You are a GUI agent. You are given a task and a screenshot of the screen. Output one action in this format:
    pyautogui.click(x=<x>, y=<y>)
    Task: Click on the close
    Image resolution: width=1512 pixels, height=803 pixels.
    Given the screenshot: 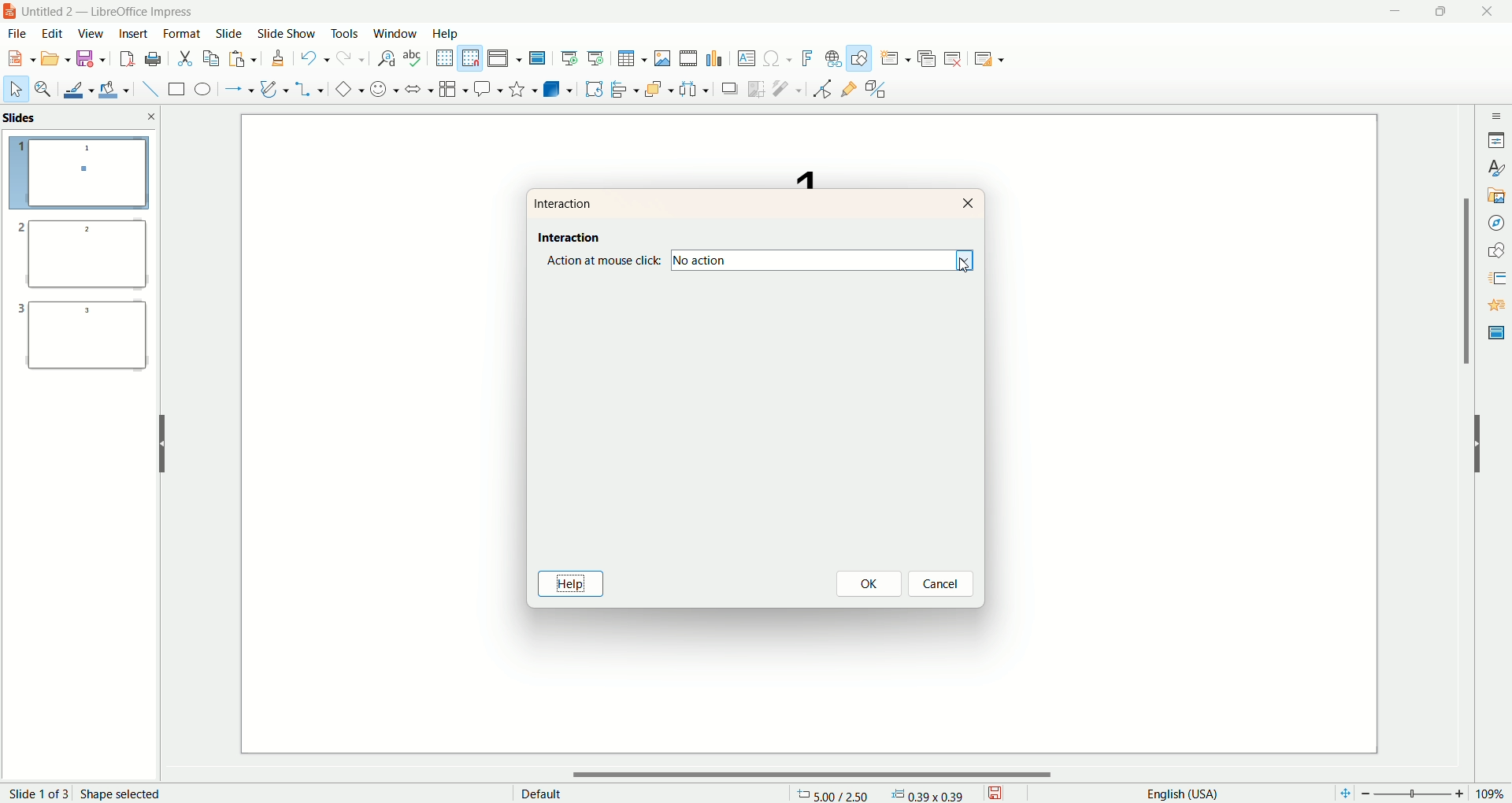 What is the action you would take?
    pyautogui.click(x=969, y=202)
    